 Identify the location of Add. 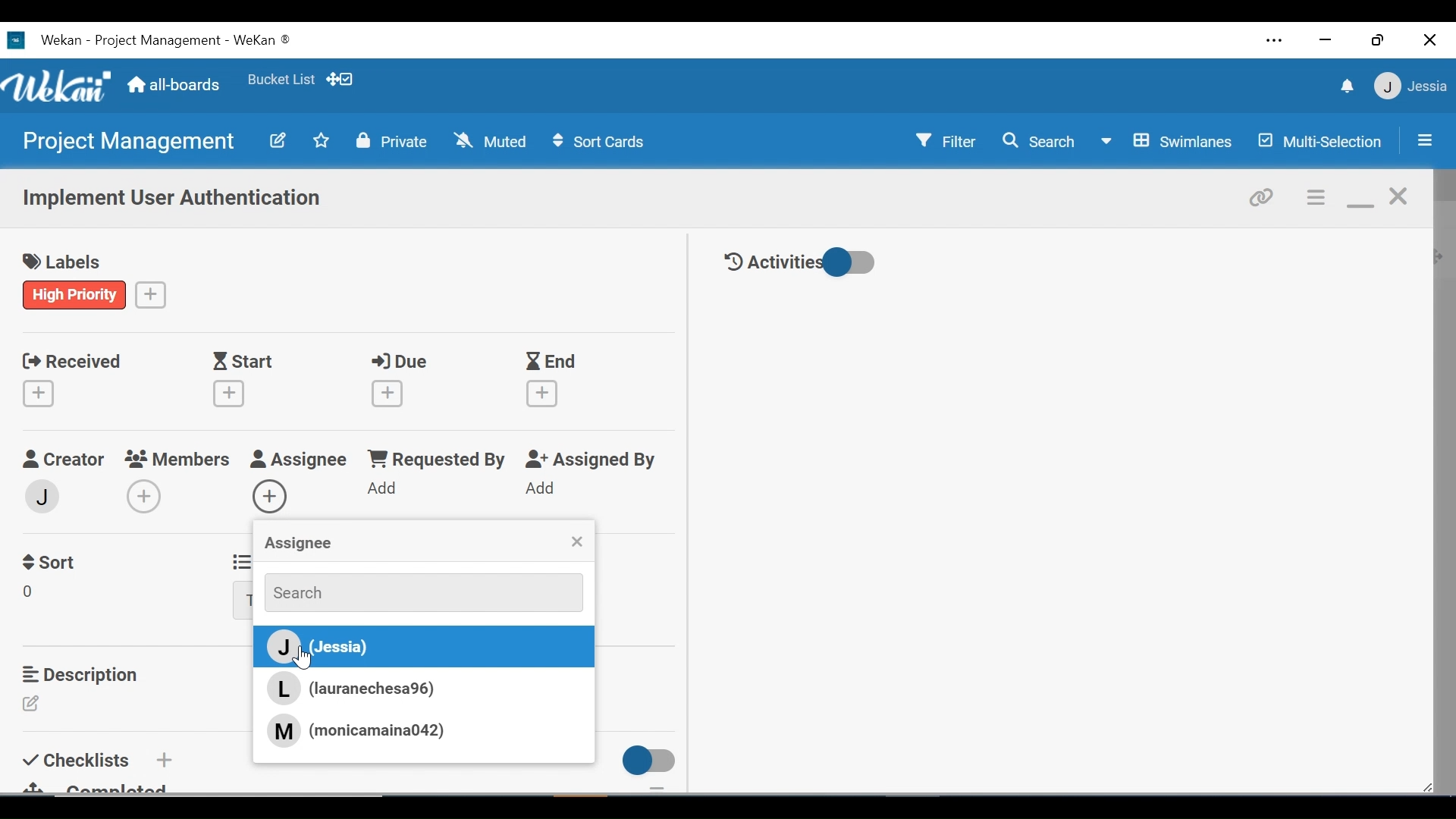
(543, 489).